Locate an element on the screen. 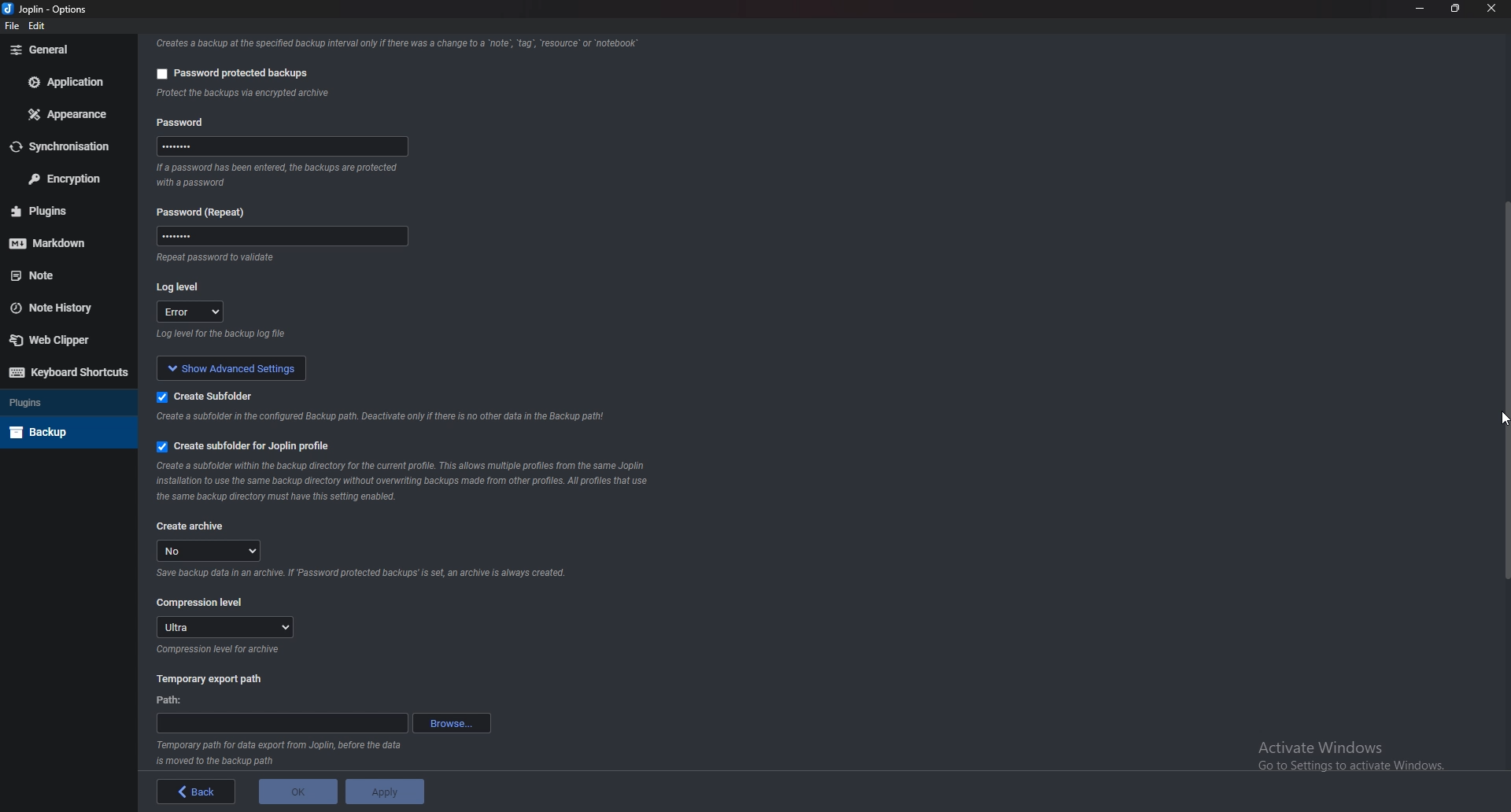 The width and height of the screenshot is (1511, 812). password (repeat) is located at coordinates (207, 212).